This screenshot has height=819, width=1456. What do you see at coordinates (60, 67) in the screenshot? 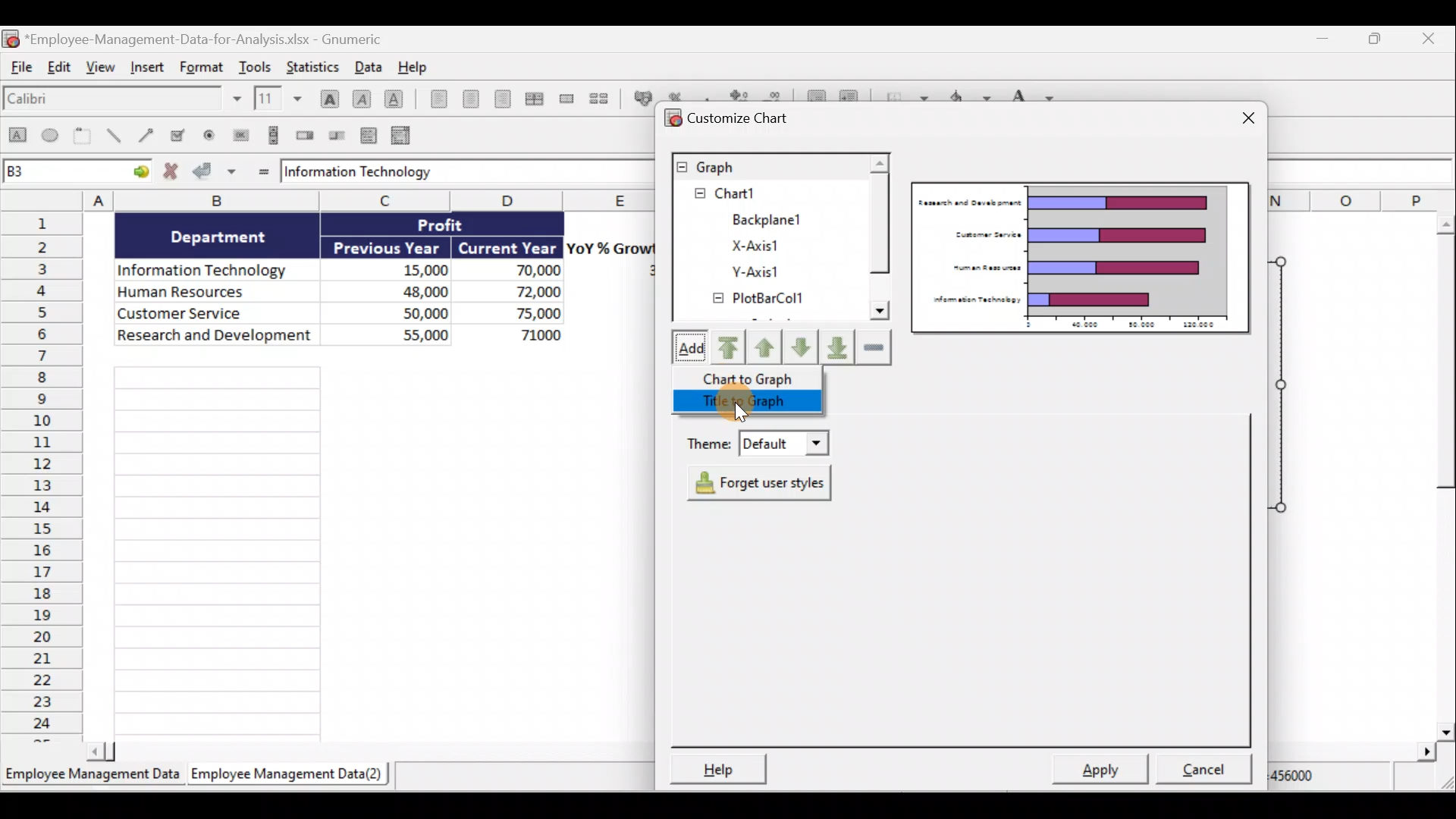
I see `Edit` at bounding box center [60, 67].